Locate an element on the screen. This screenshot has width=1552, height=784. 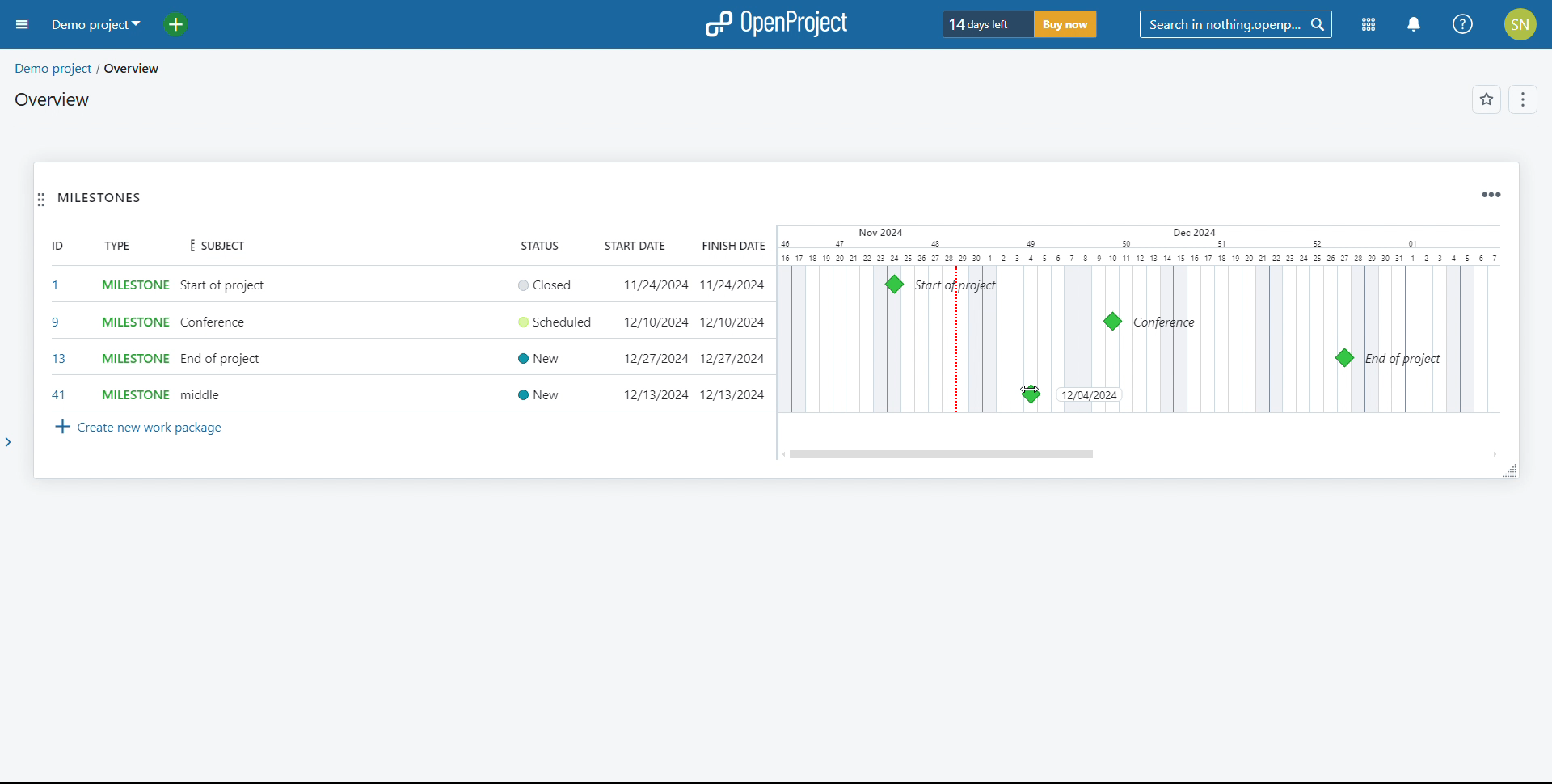
type is located at coordinates (116, 245).